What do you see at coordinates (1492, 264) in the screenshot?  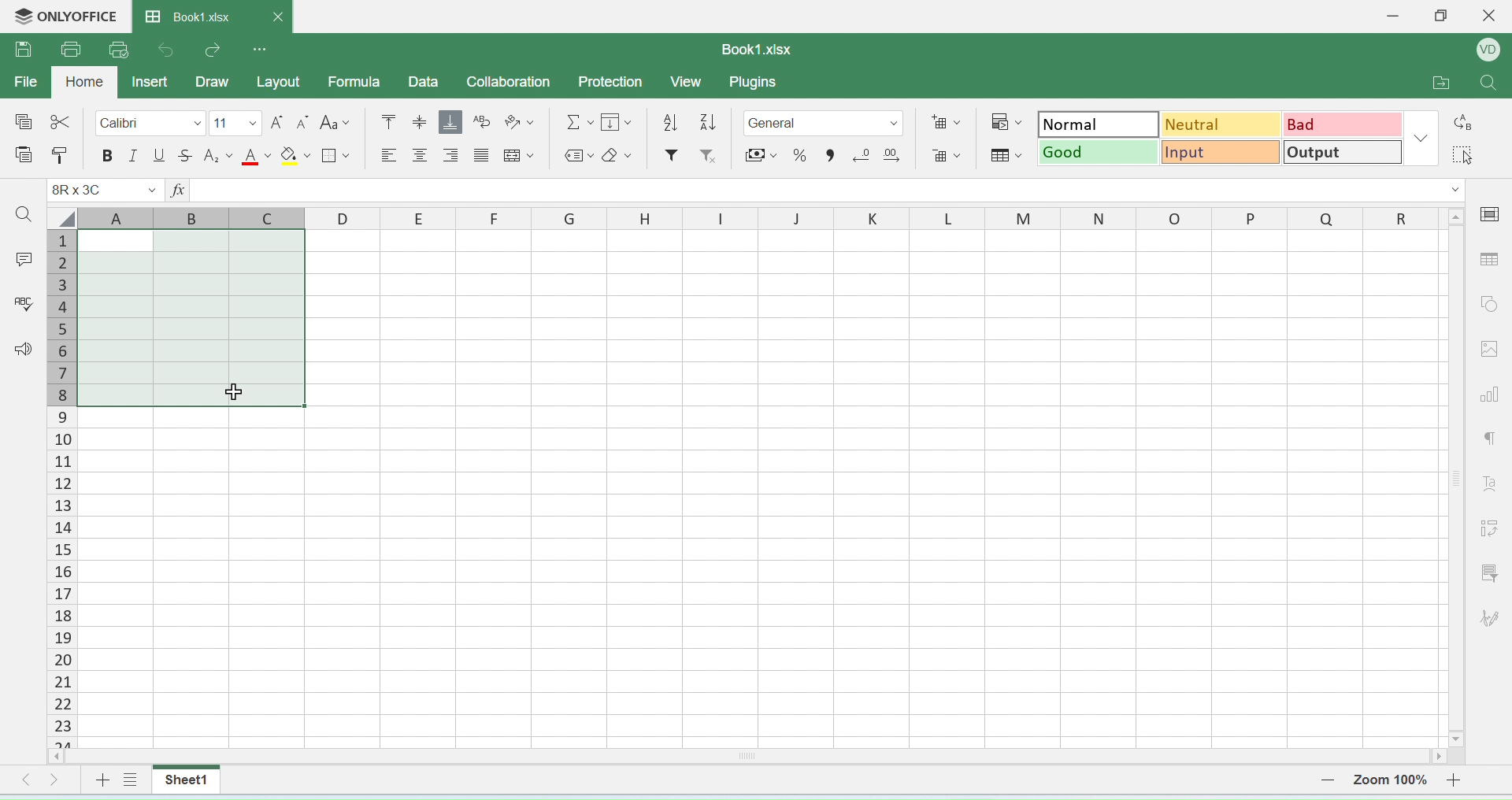 I see `table` at bounding box center [1492, 264].